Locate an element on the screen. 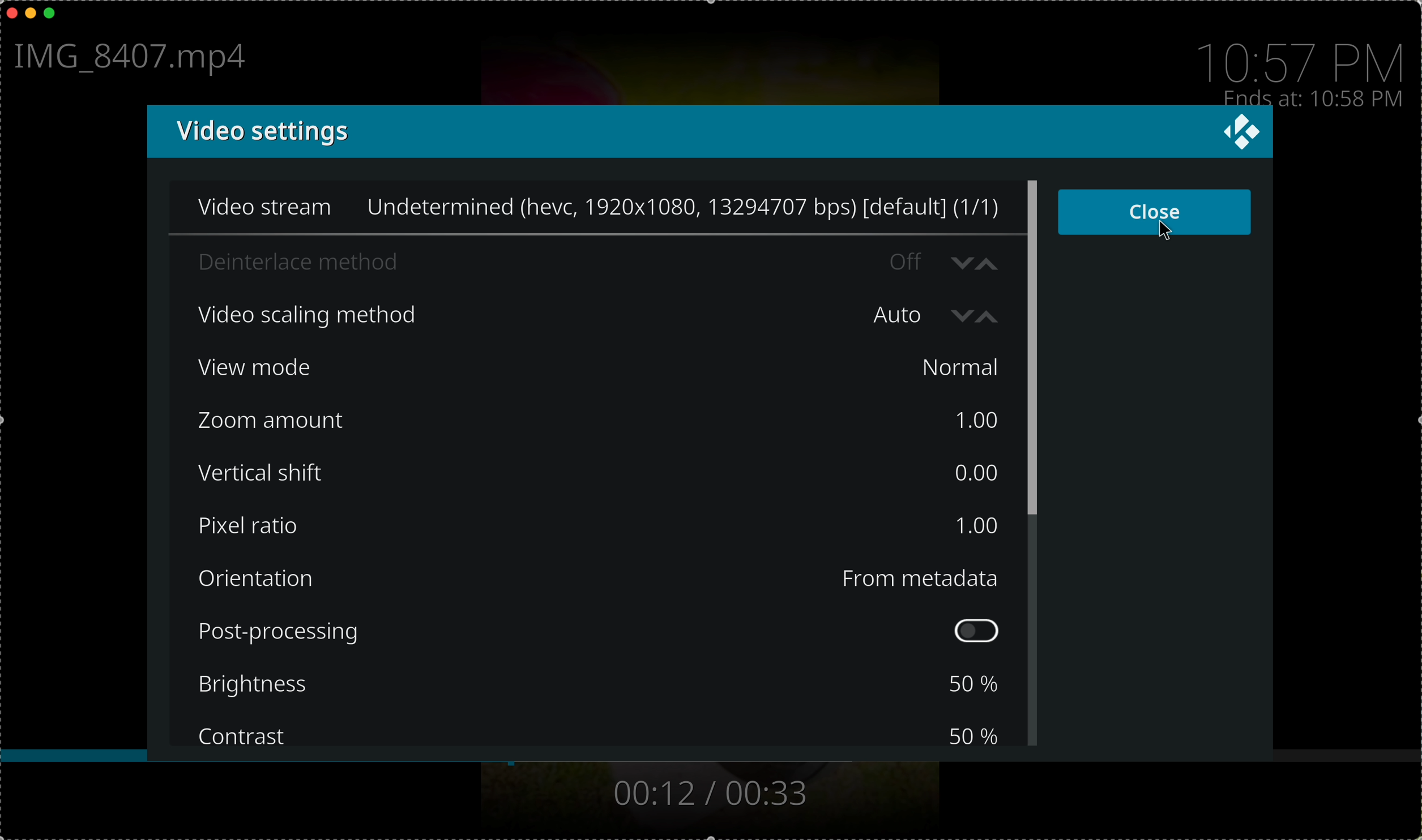  vertical shift 0.00 is located at coordinates (599, 470).